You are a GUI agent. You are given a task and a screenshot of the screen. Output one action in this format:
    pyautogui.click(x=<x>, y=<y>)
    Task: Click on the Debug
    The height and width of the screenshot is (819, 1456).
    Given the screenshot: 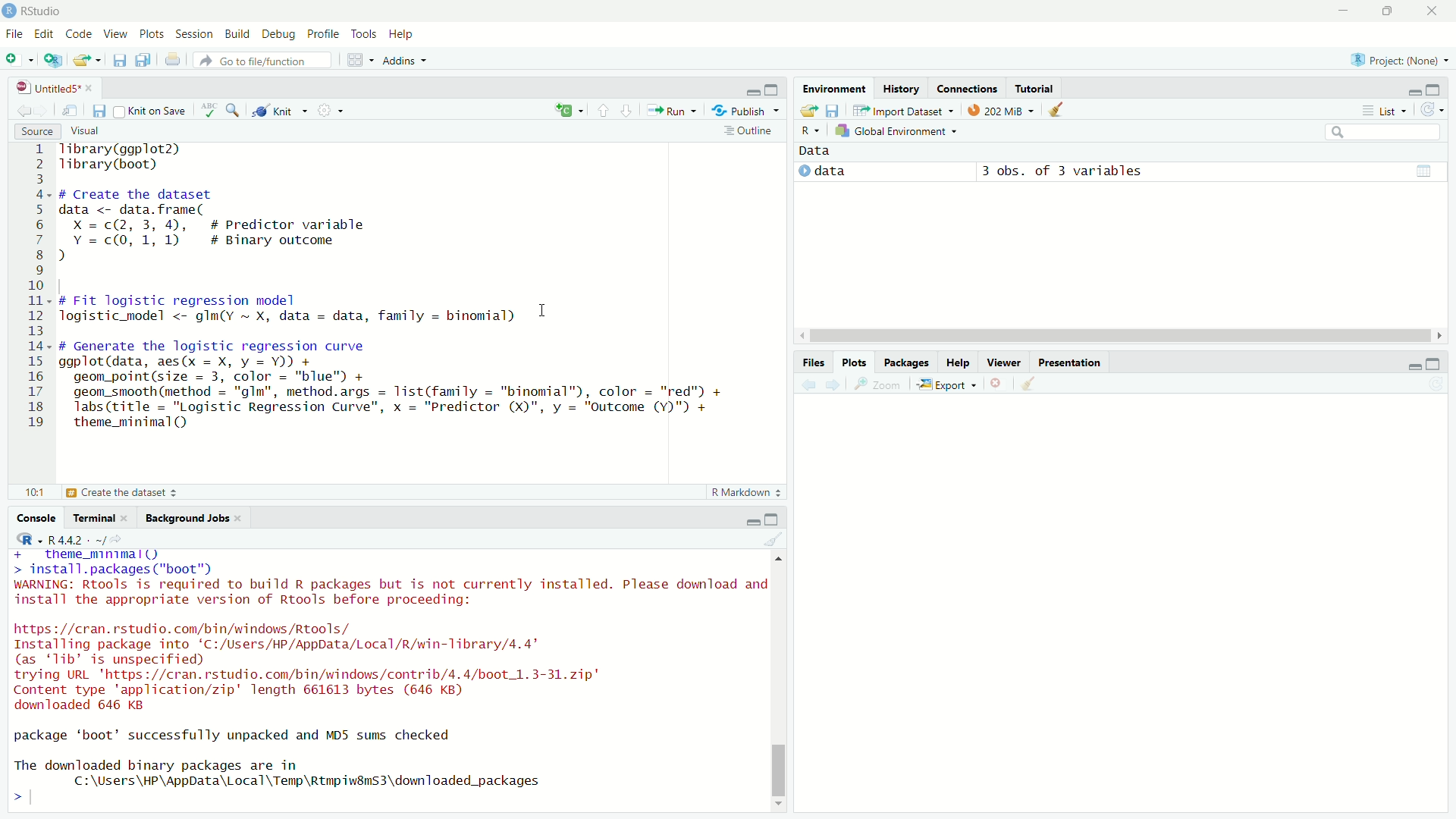 What is the action you would take?
    pyautogui.click(x=278, y=33)
    